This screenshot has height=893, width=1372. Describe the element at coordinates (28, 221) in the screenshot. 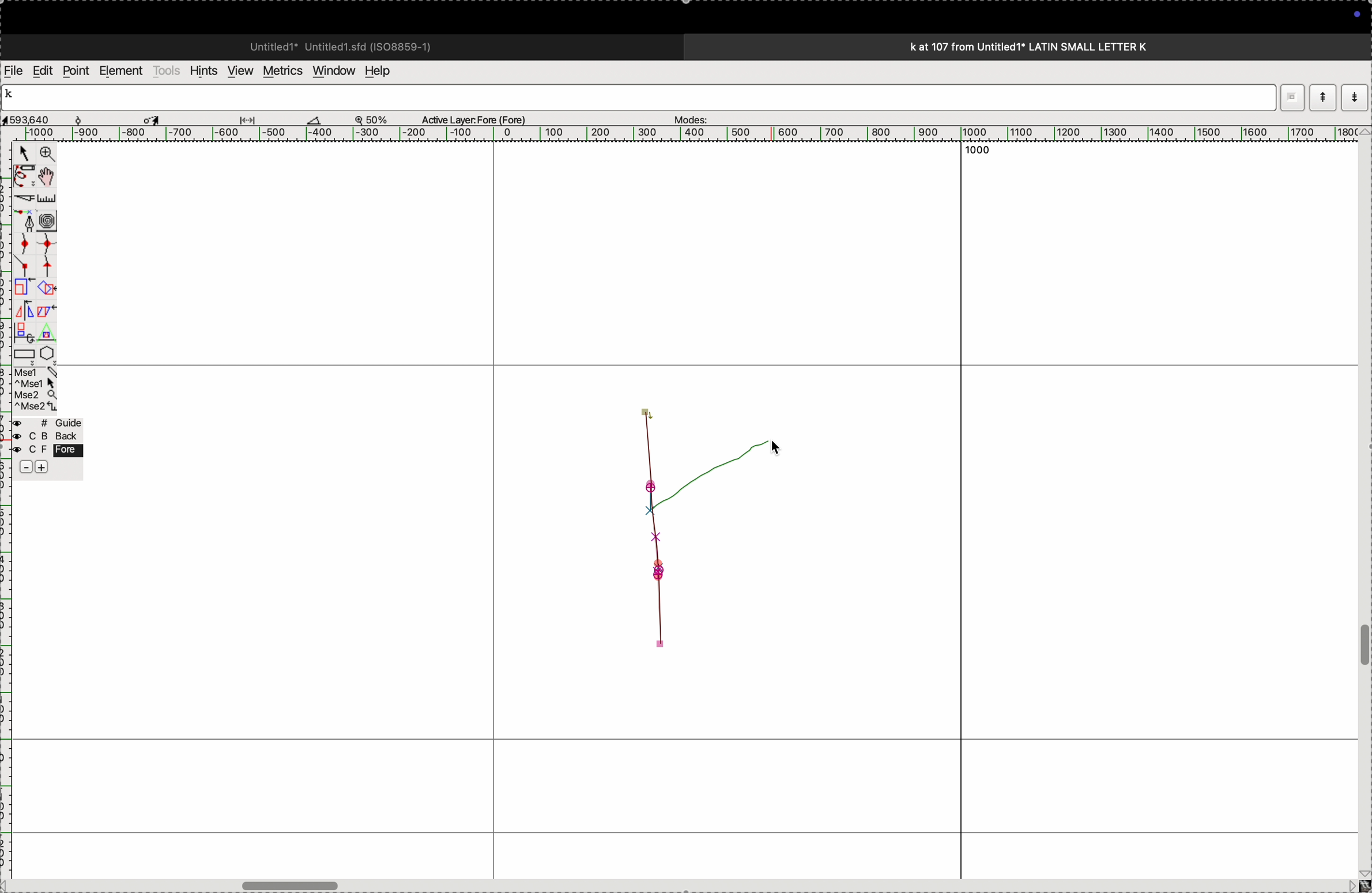

I see `fountain pen` at that location.